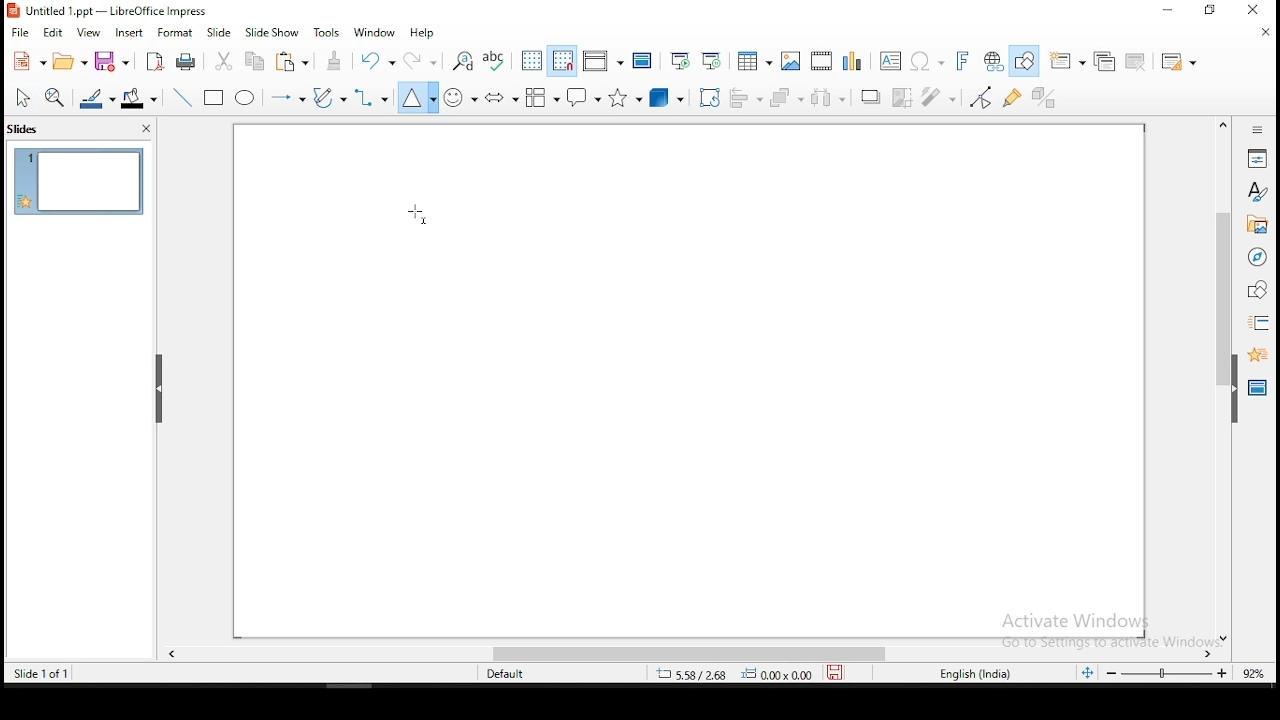 This screenshot has width=1280, height=720. Describe the element at coordinates (643, 61) in the screenshot. I see `master slide` at that location.